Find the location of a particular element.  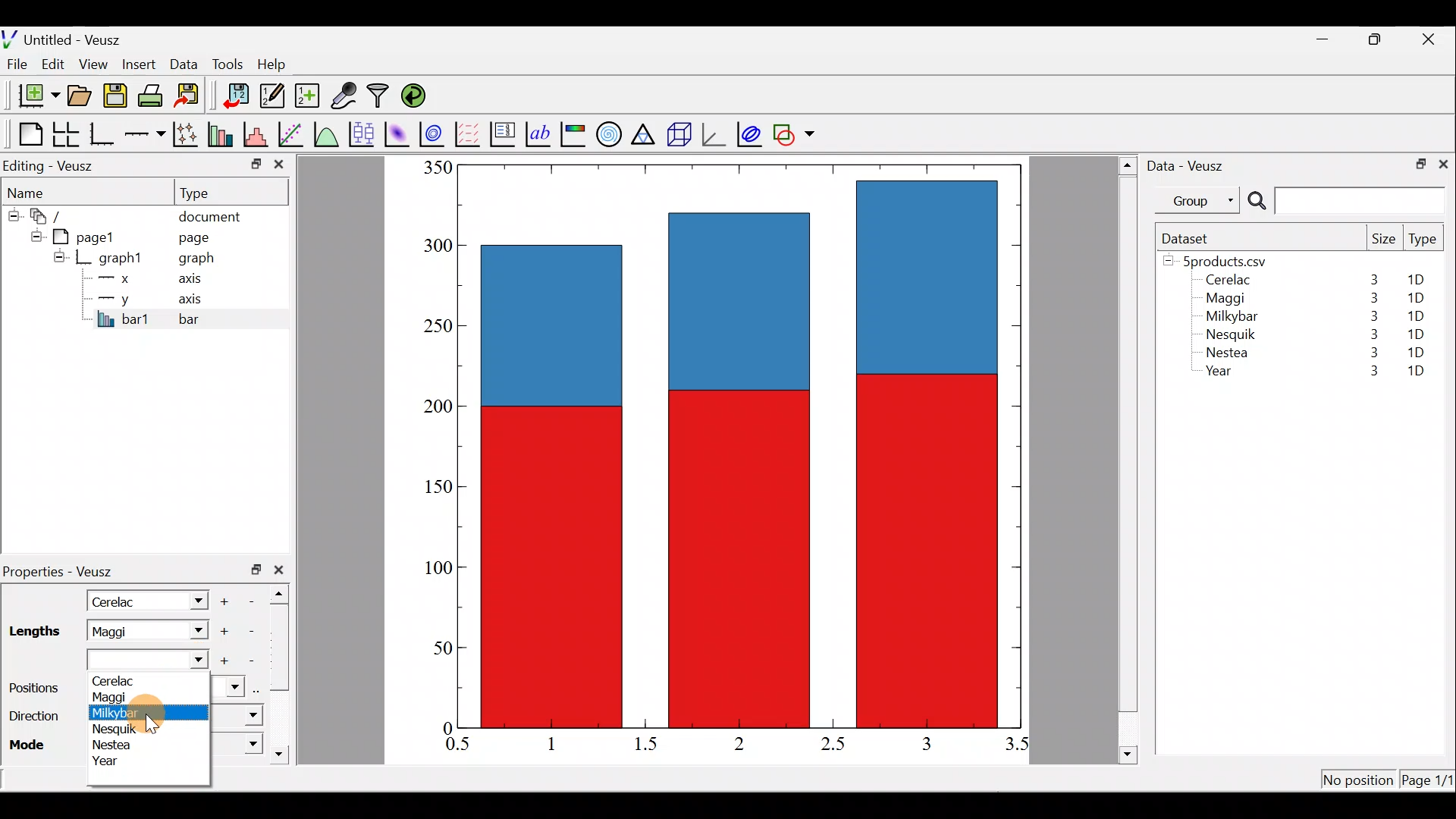

3 is located at coordinates (925, 743).